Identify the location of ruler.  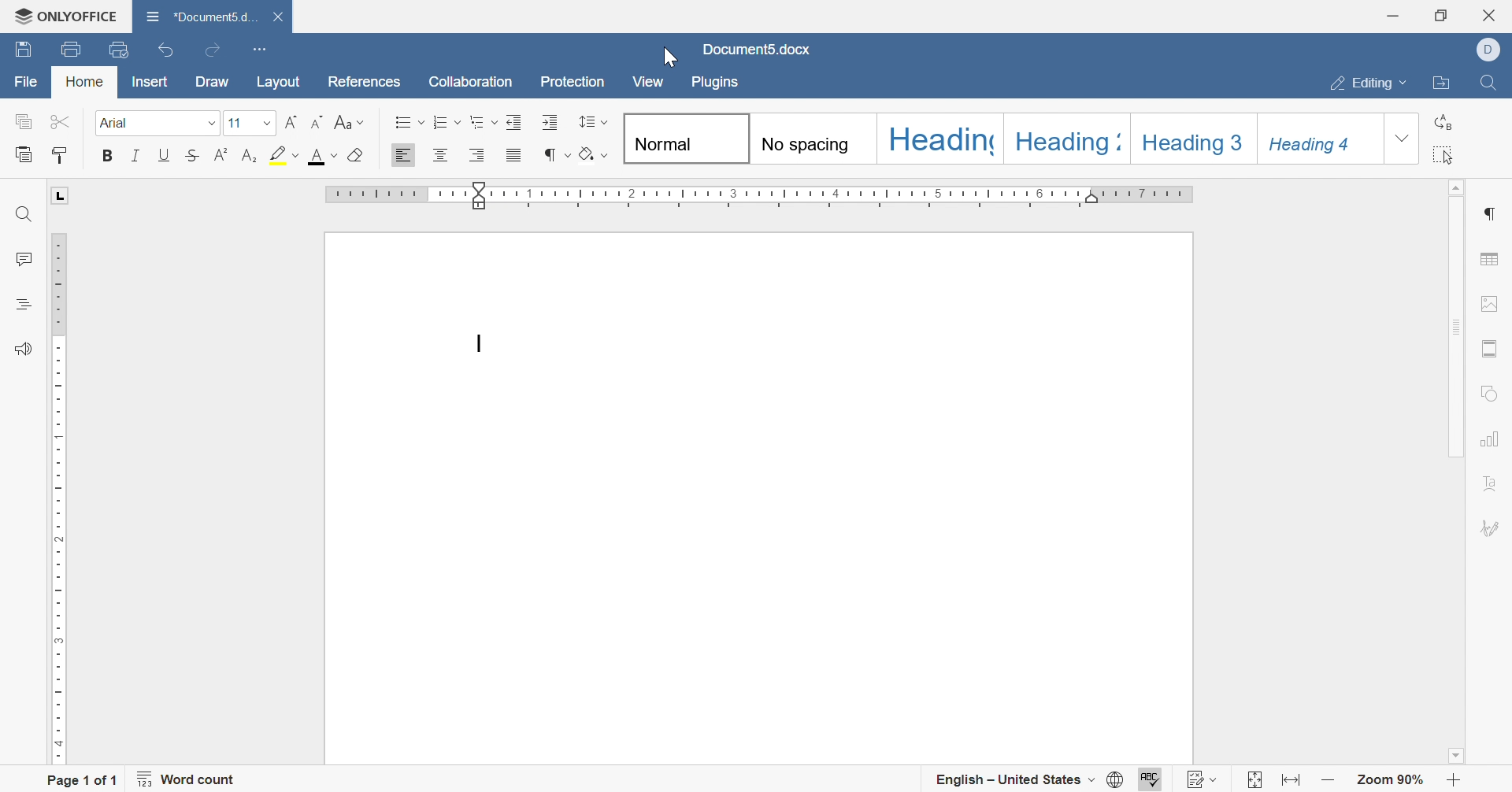
(847, 195).